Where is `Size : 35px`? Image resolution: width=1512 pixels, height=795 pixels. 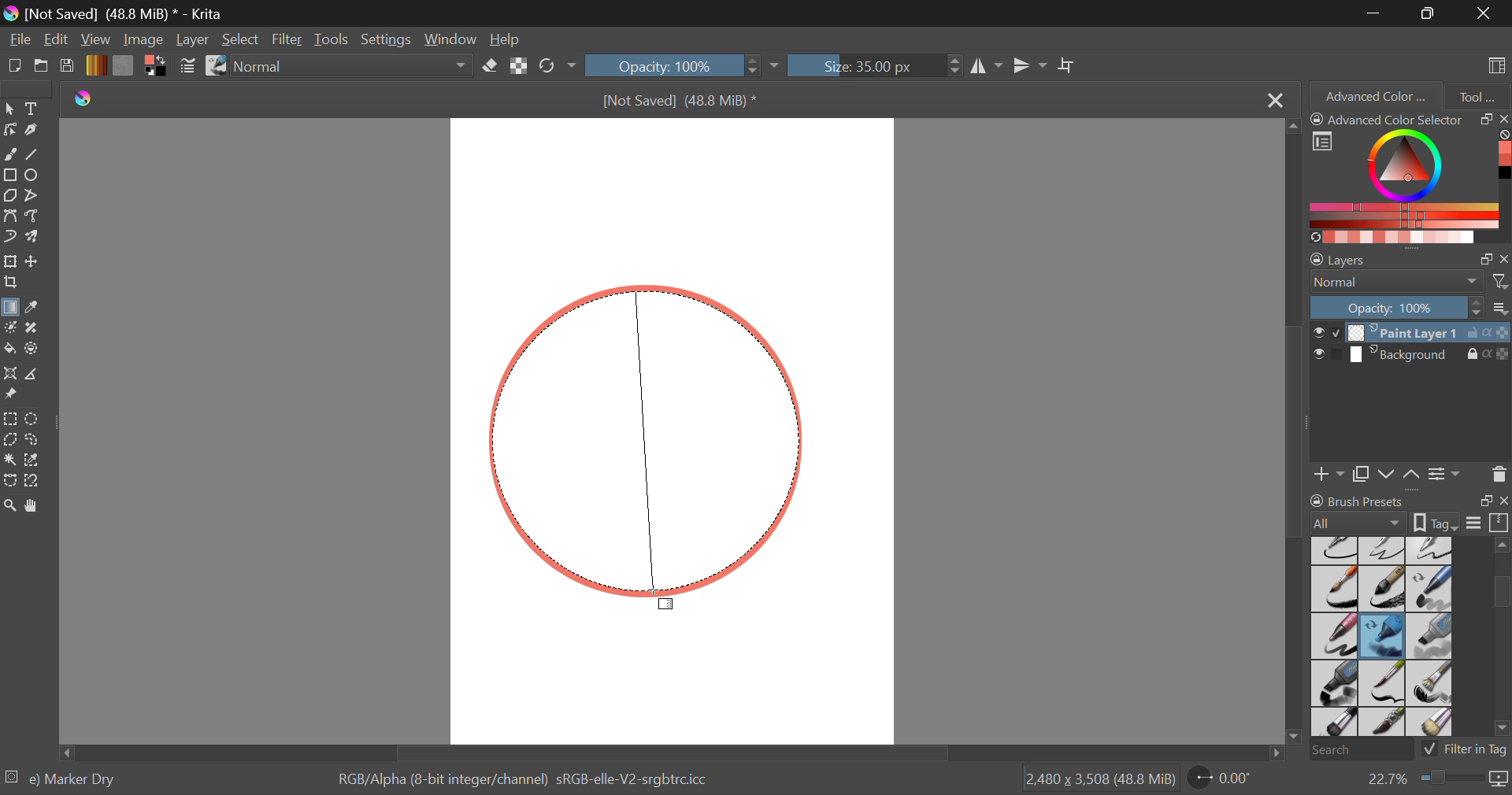 Size : 35px is located at coordinates (874, 65).